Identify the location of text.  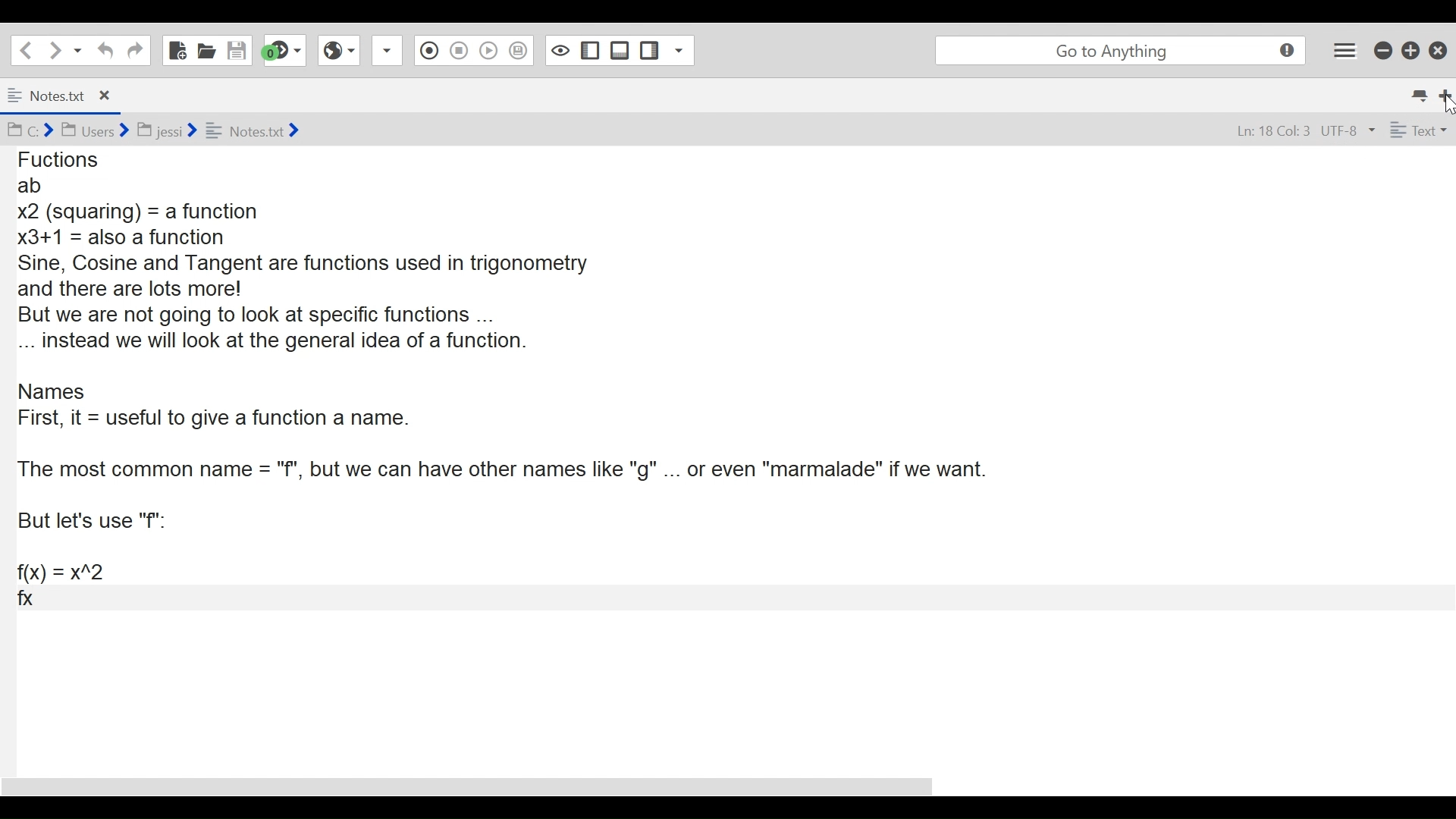
(1416, 130).